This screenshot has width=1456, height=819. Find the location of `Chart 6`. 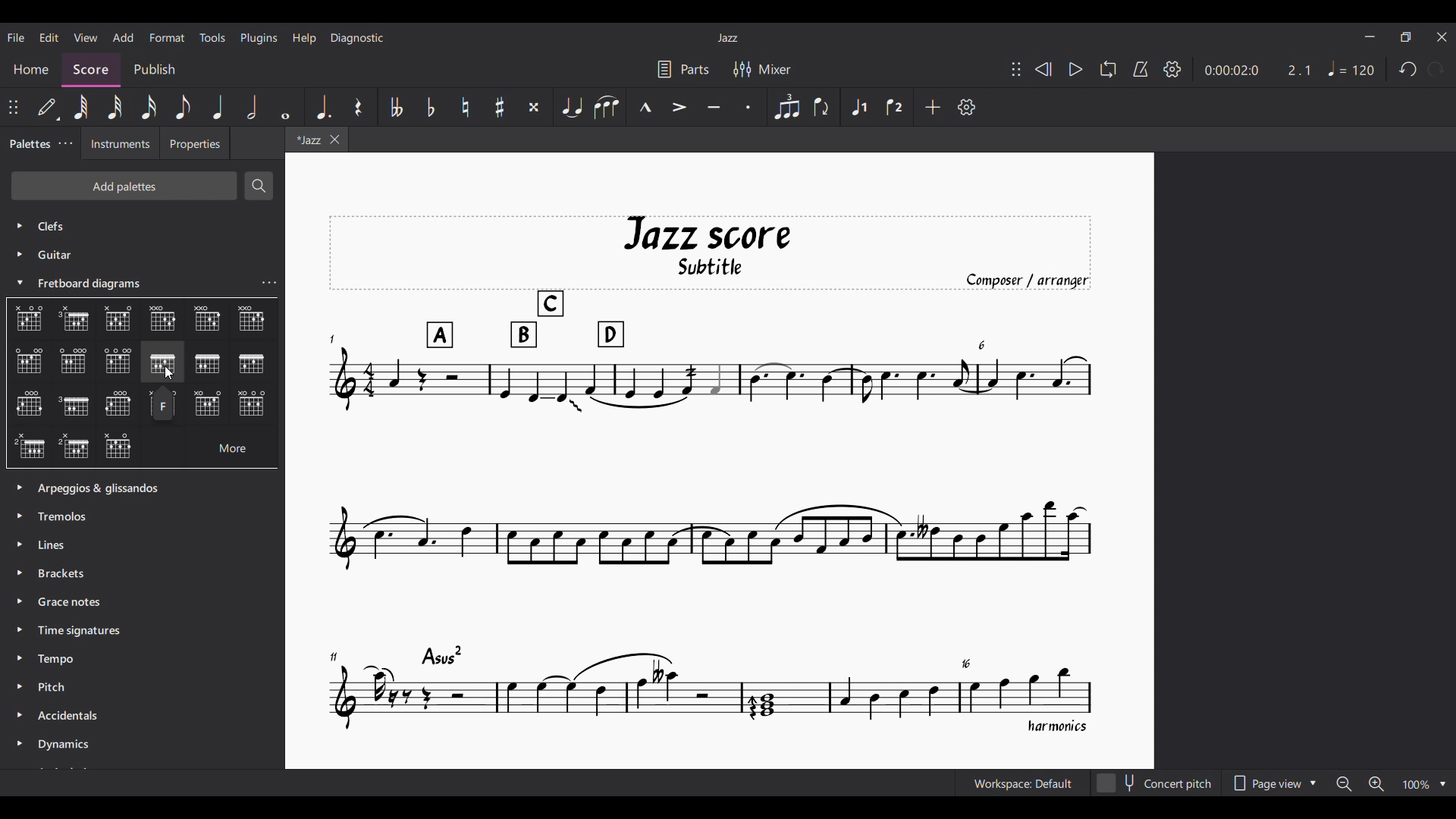

Chart 6 is located at coordinates (29, 361).